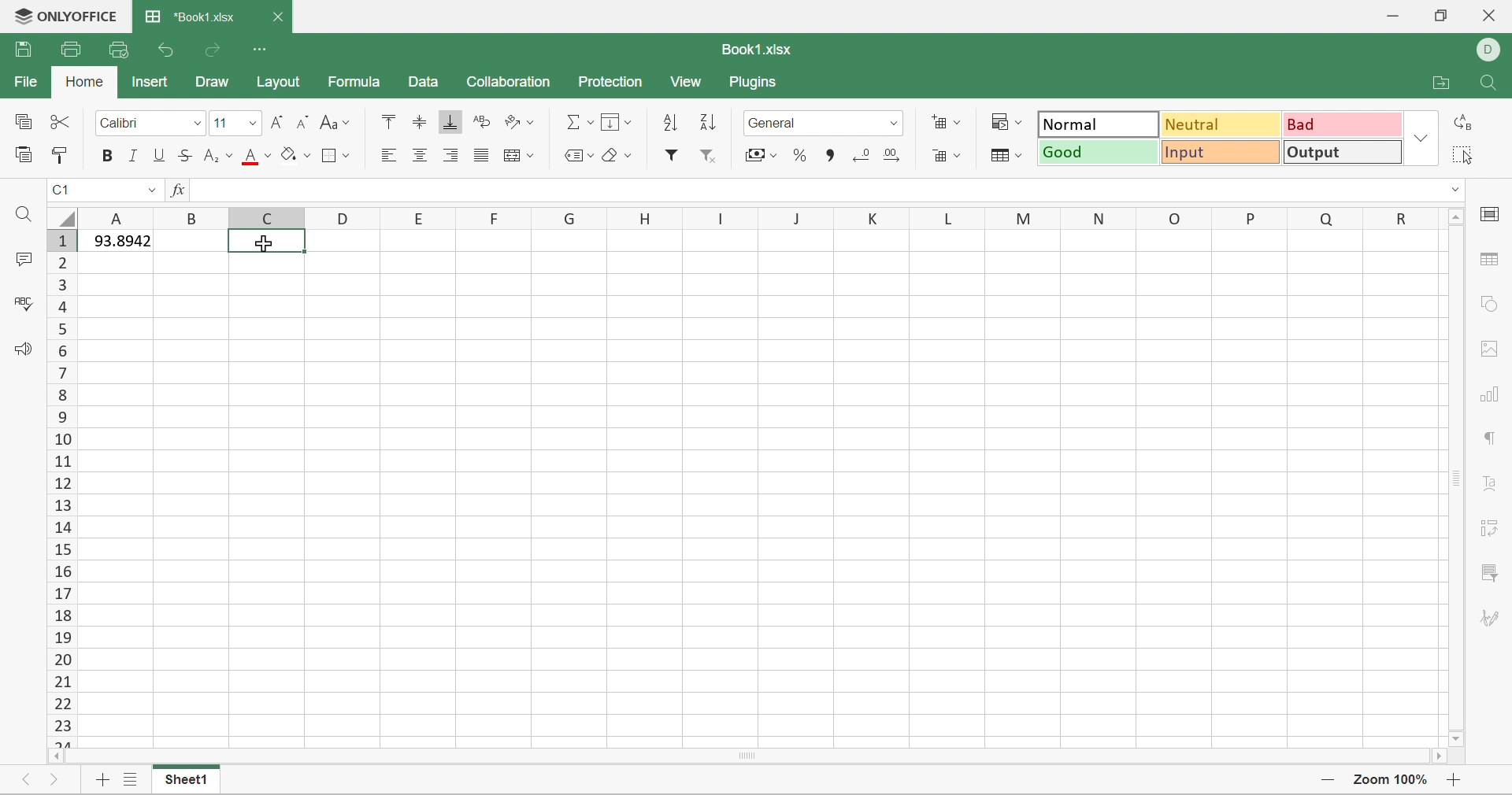 The width and height of the screenshot is (1512, 795). I want to click on Decrement font size, so click(302, 120).